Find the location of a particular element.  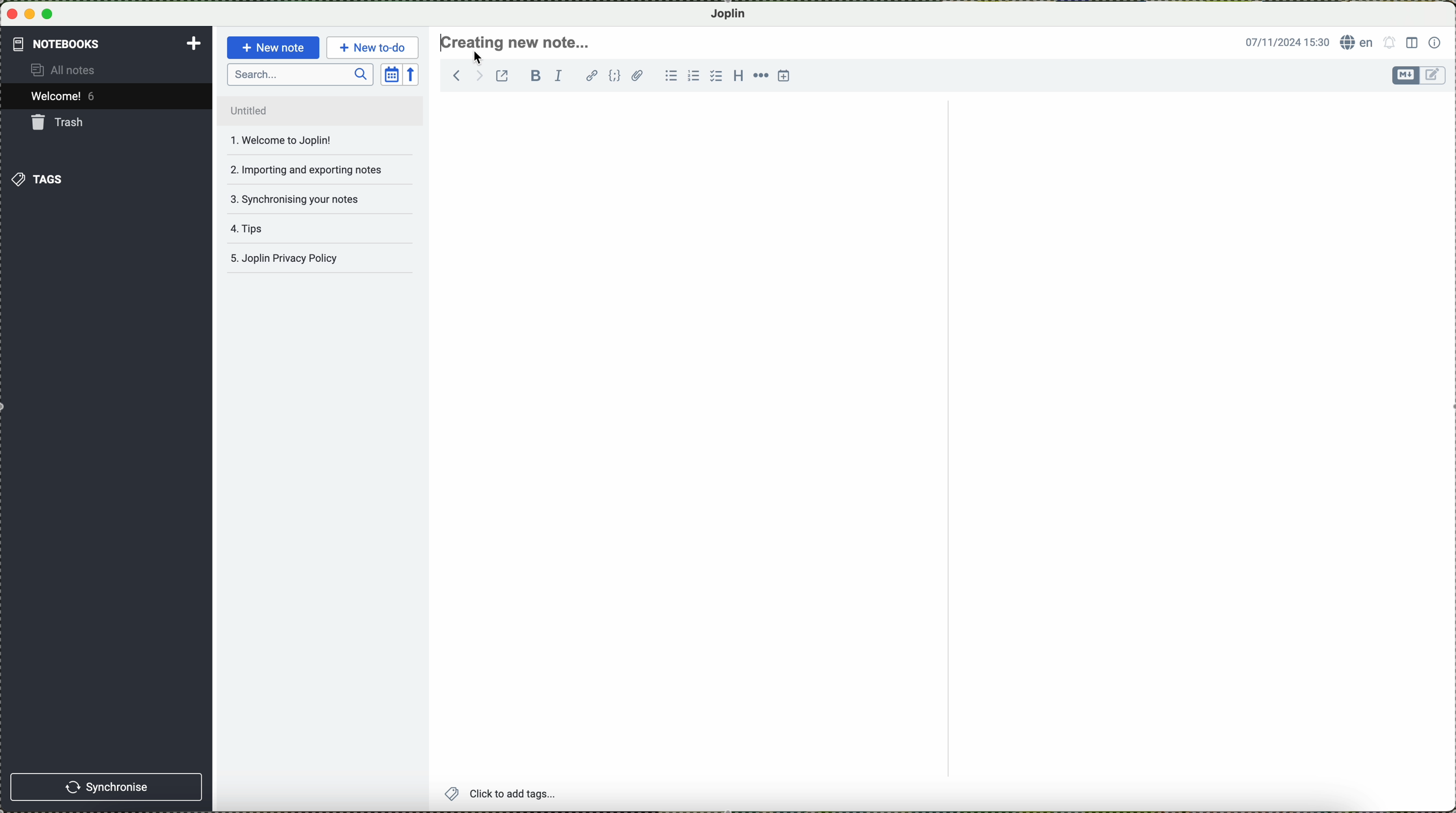

cursor is located at coordinates (482, 58).